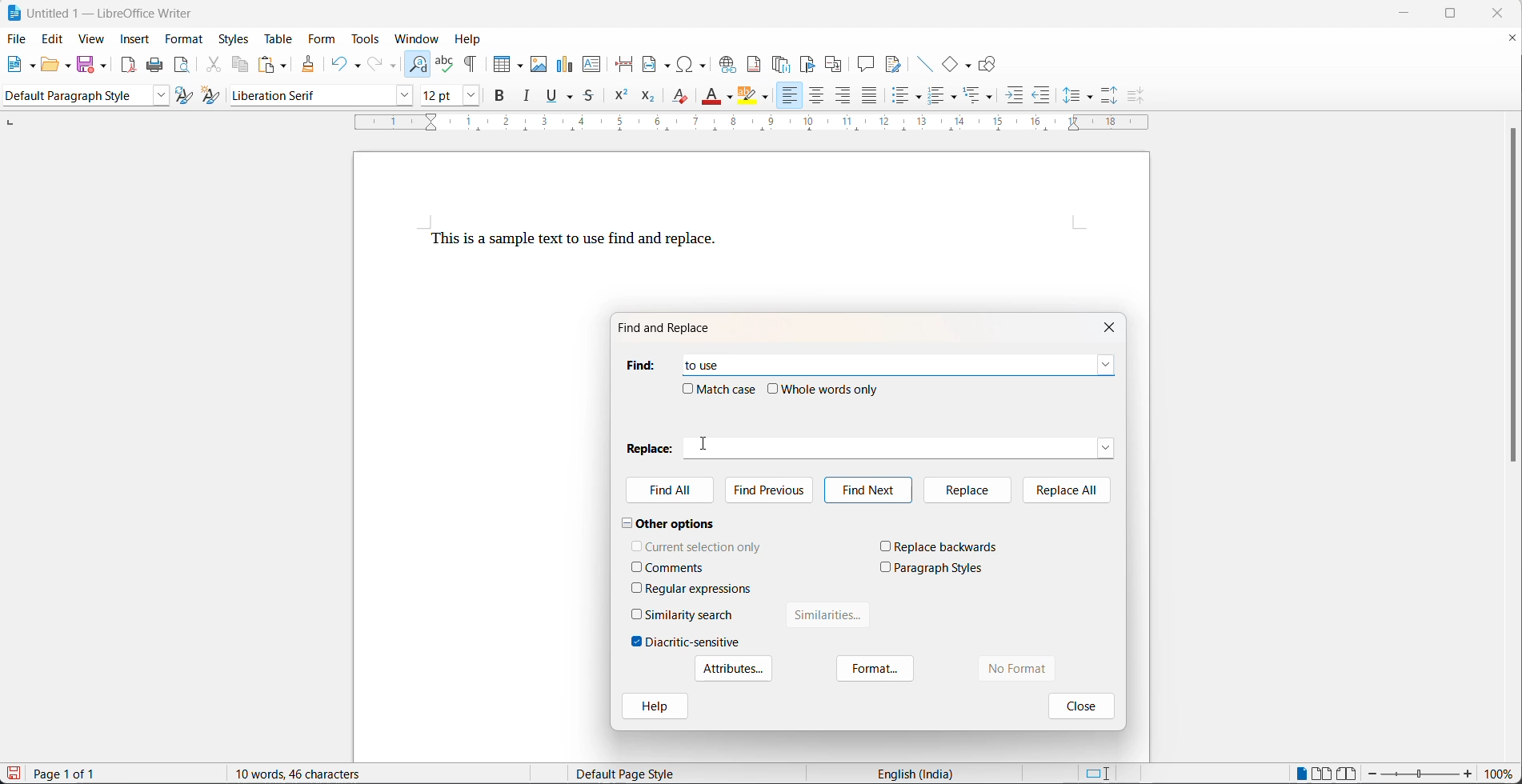 This screenshot has height=784, width=1522. What do you see at coordinates (91, 40) in the screenshot?
I see `view` at bounding box center [91, 40].